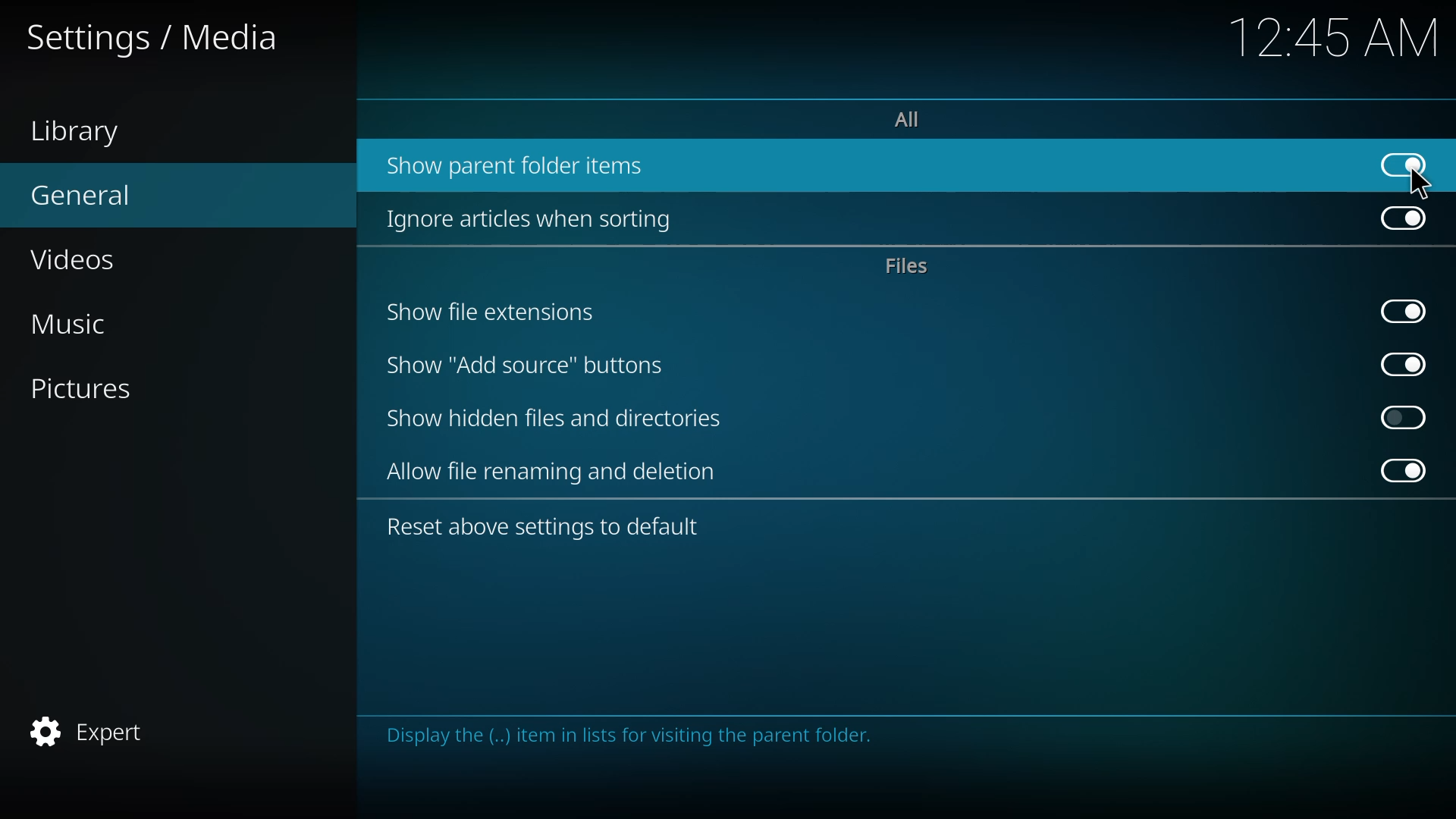  I want to click on ignore articles when sorting, so click(538, 218).